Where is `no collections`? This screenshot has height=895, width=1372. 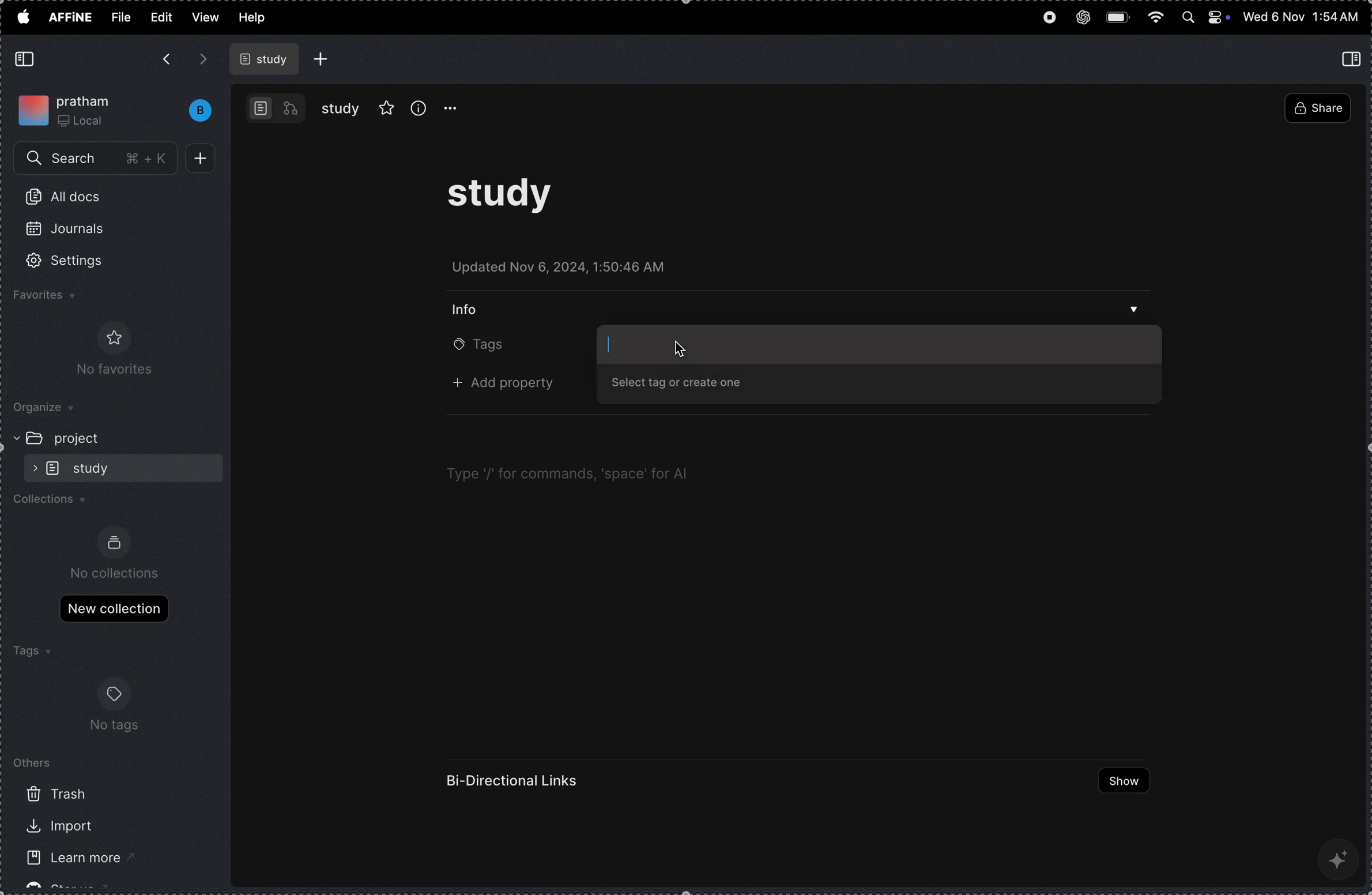
no collections is located at coordinates (116, 573).